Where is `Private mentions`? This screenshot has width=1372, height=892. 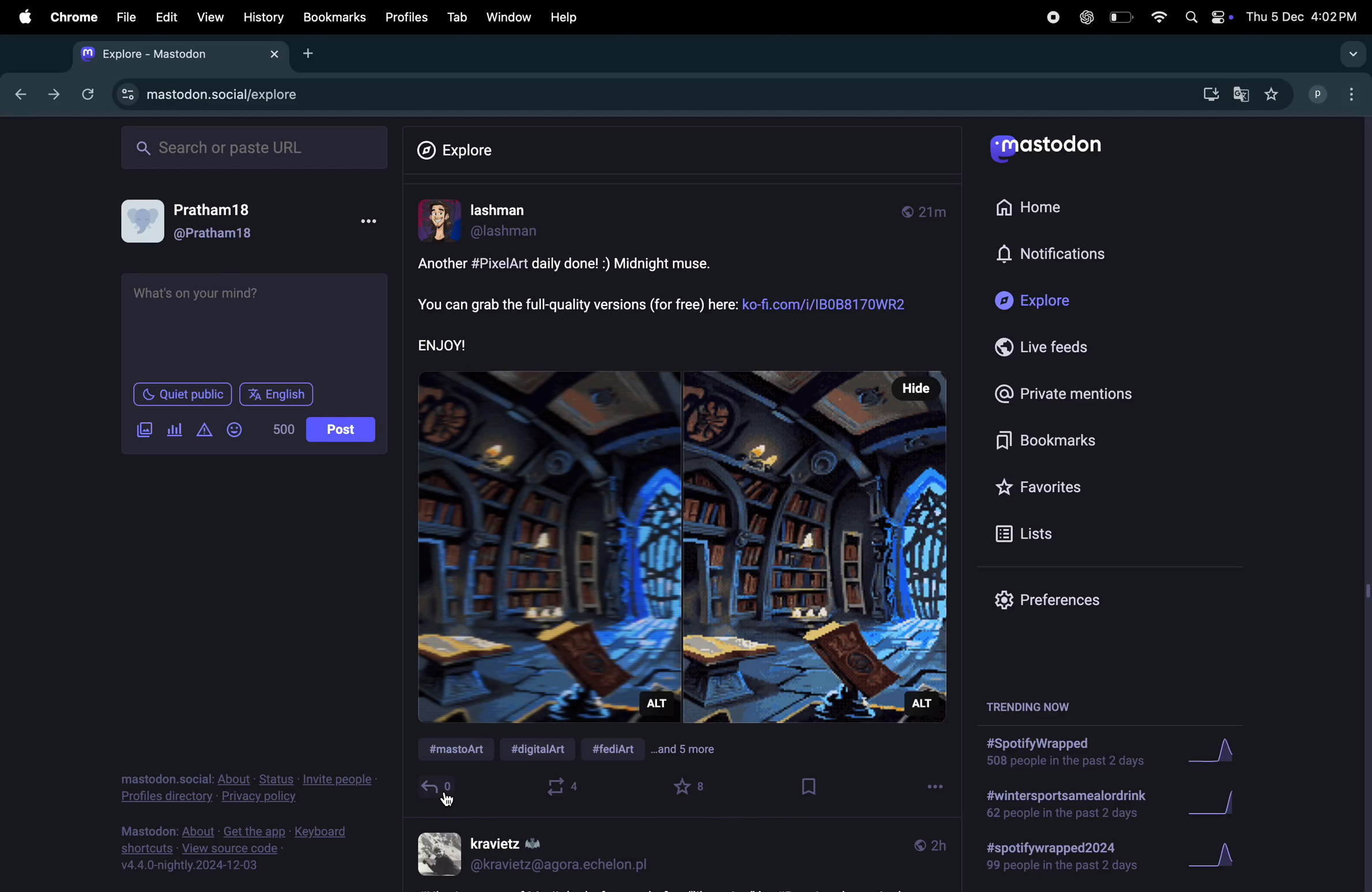
Private mentions is located at coordinates (1064, 393).